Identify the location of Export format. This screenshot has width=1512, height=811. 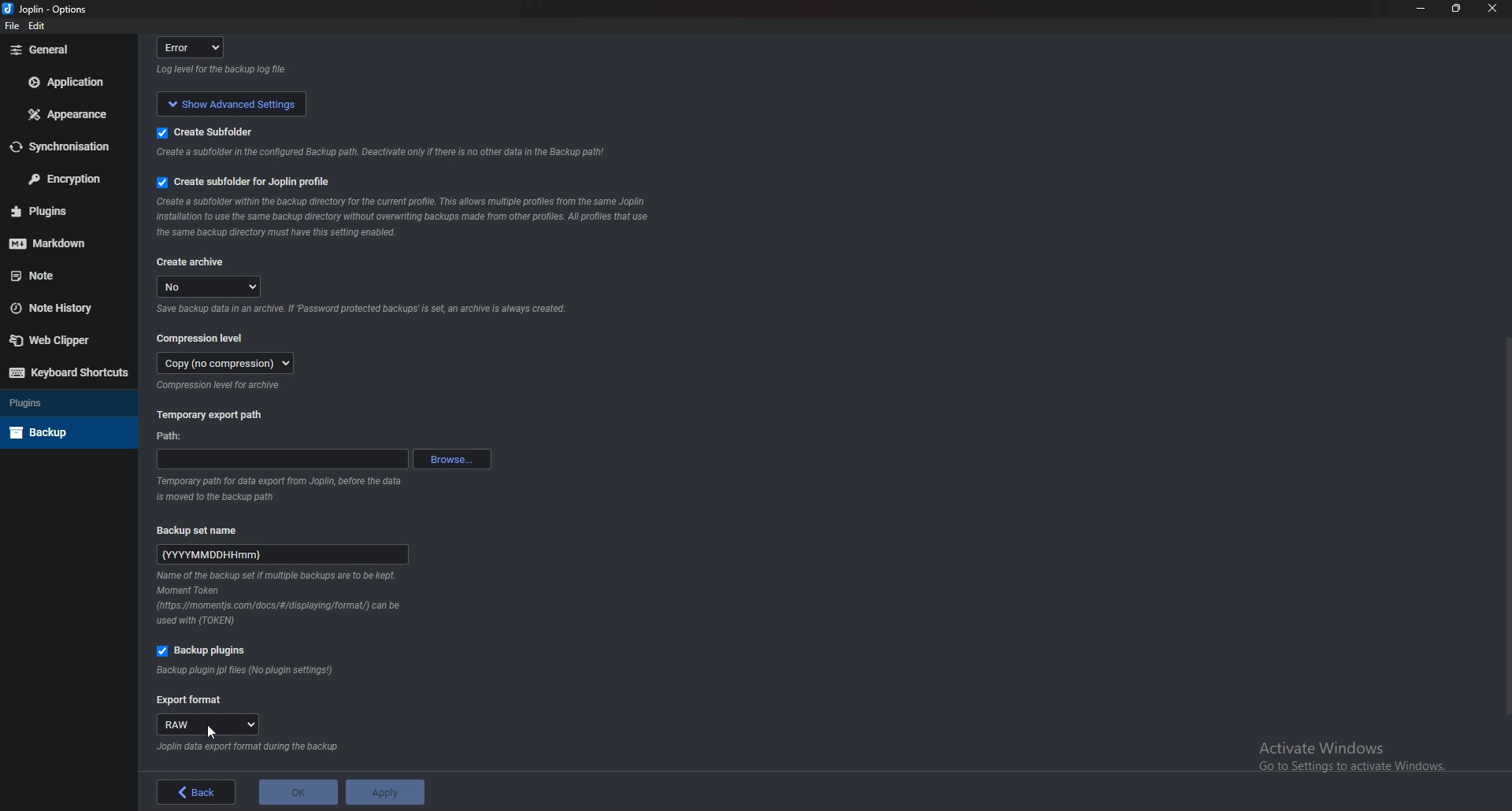
(190, 701).